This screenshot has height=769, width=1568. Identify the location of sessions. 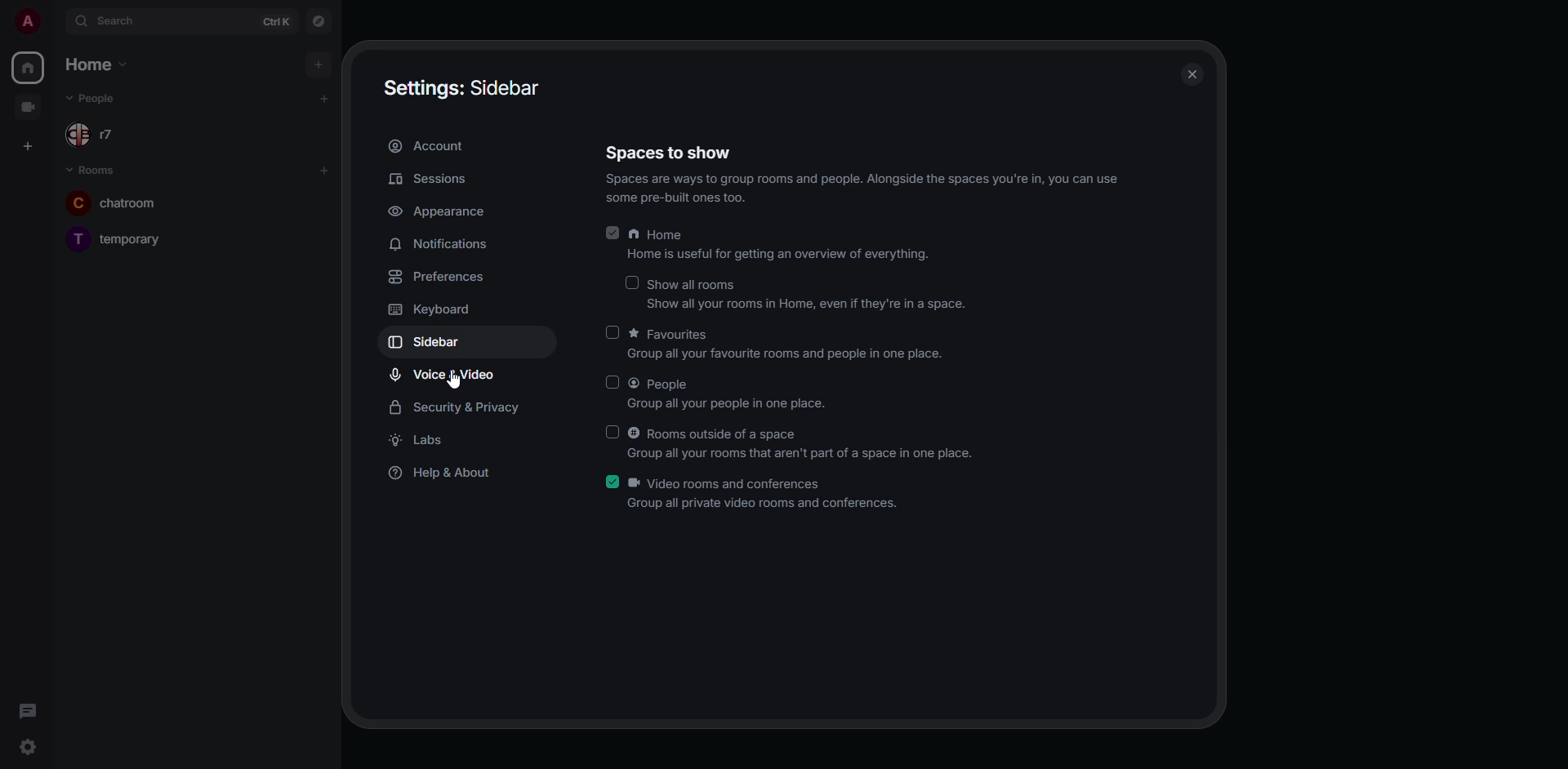
(432, 180).